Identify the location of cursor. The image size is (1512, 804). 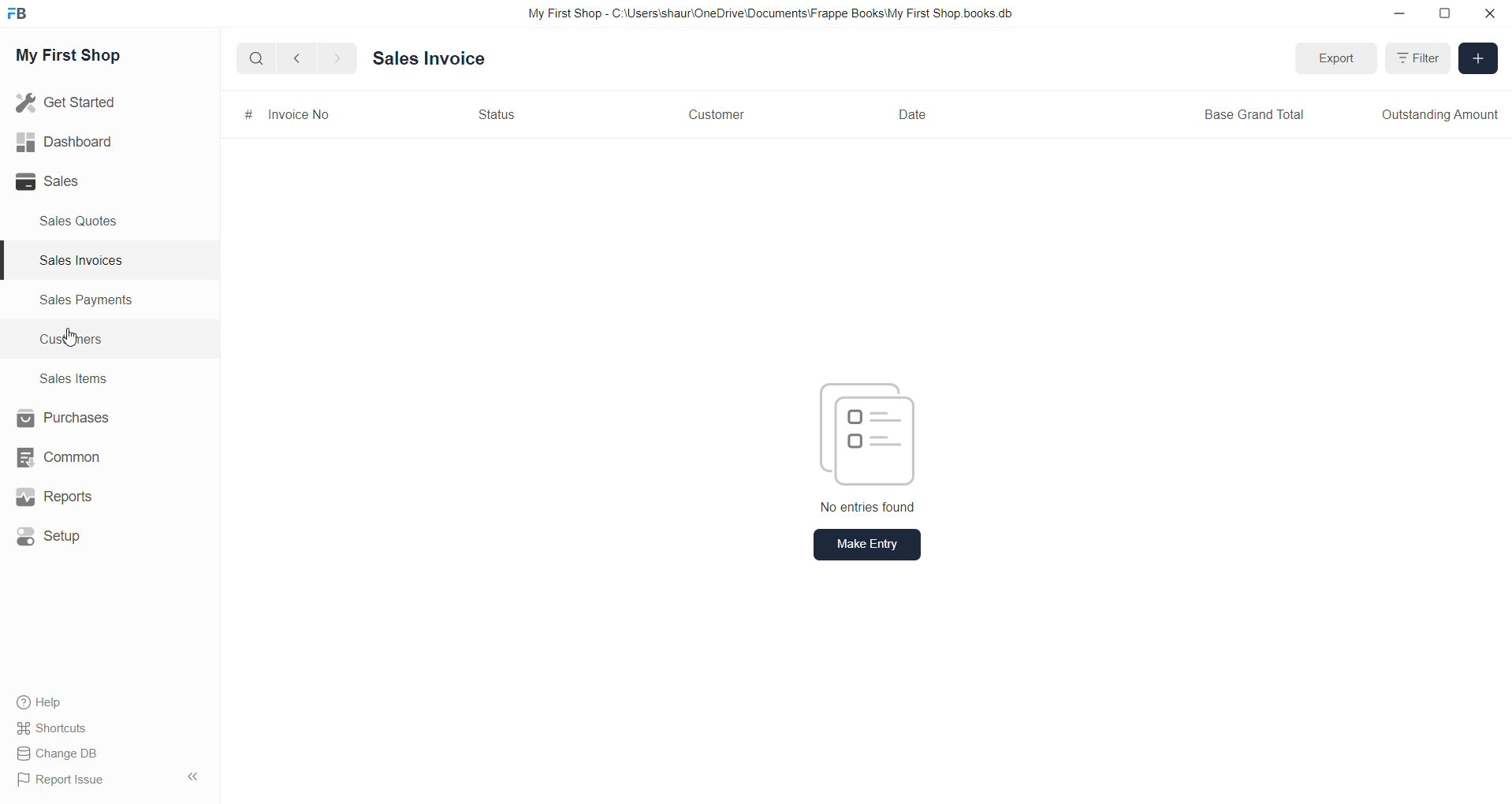
(76, 340).